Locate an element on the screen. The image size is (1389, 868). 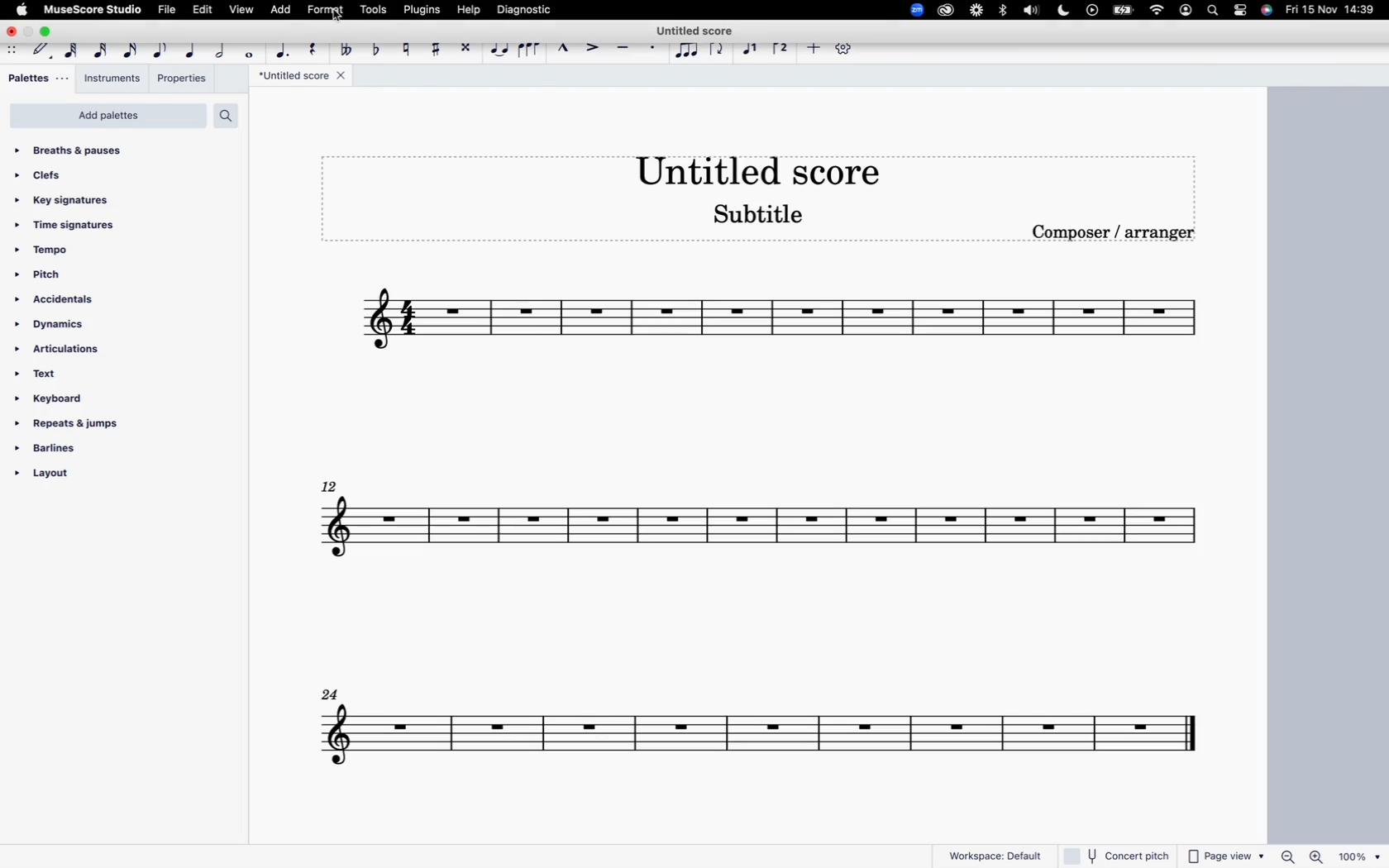
settings is located at coordinates (845, 50).